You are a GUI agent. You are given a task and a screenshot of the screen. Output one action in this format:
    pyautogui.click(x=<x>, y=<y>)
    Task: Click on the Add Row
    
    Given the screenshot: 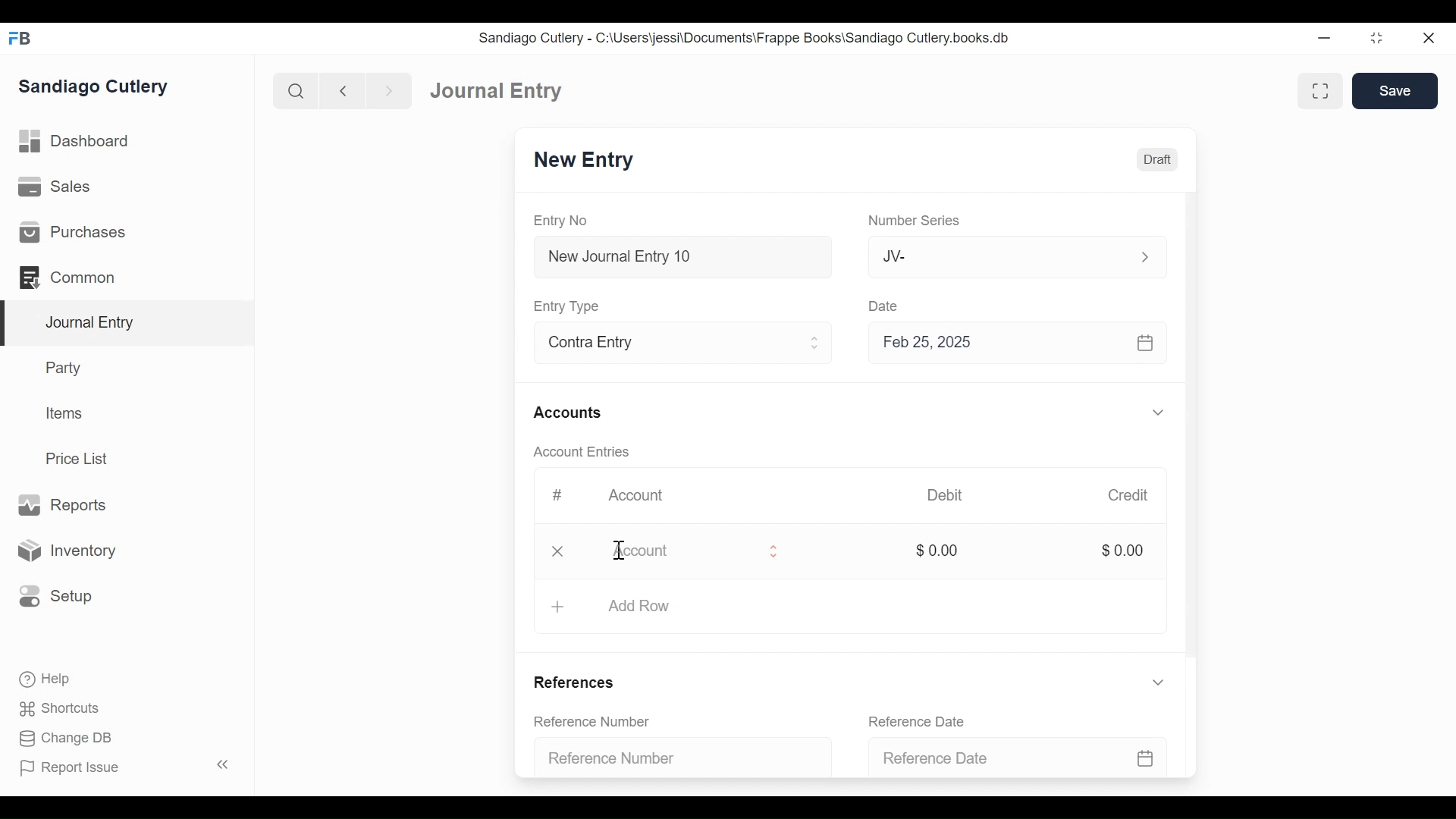 What is the action you would take?
    pyautogui.click(x=651, y=607)
    